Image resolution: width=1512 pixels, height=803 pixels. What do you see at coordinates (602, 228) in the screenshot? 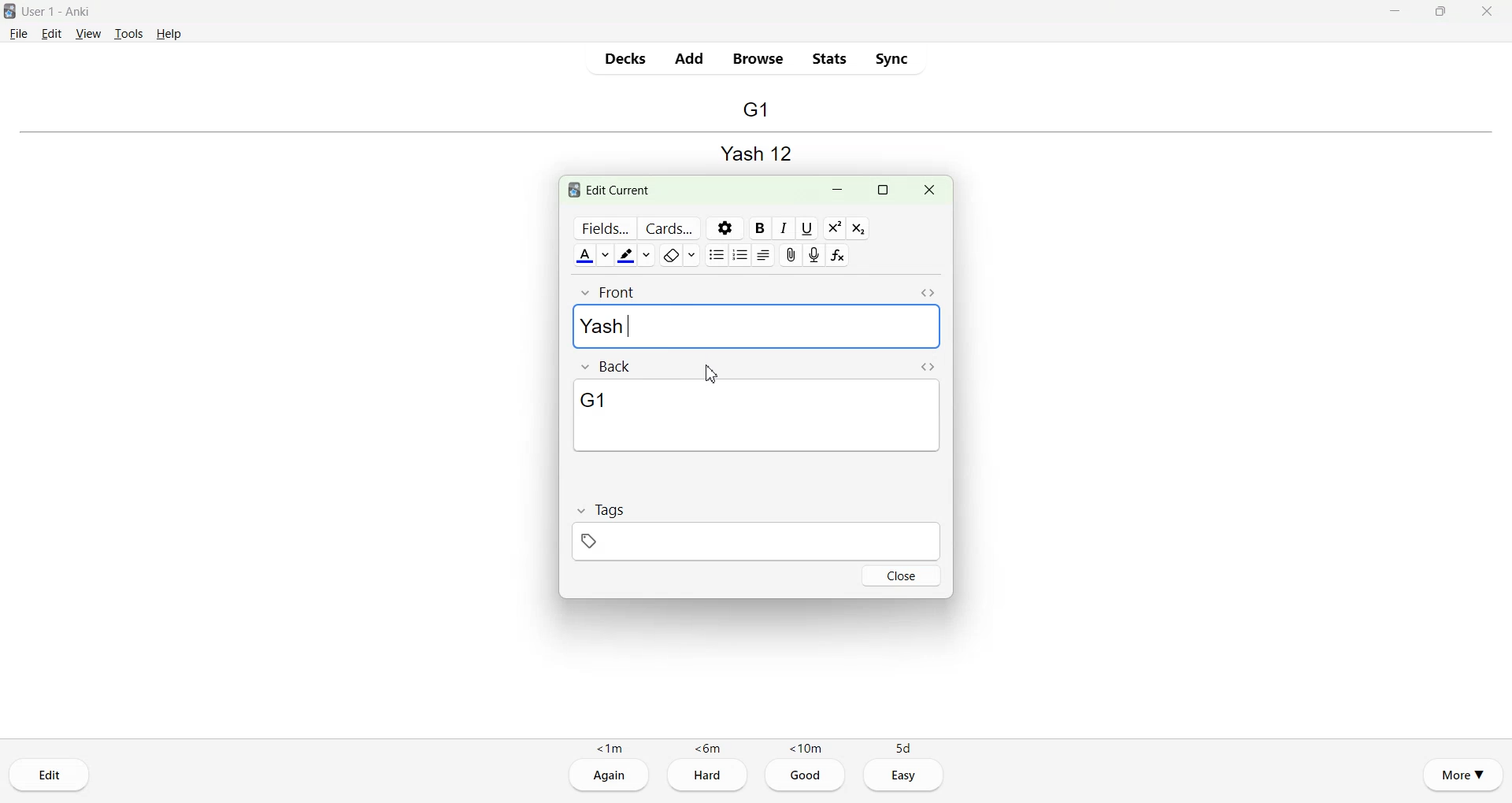
I see `Customization Field` at bounding box center [602, 228].